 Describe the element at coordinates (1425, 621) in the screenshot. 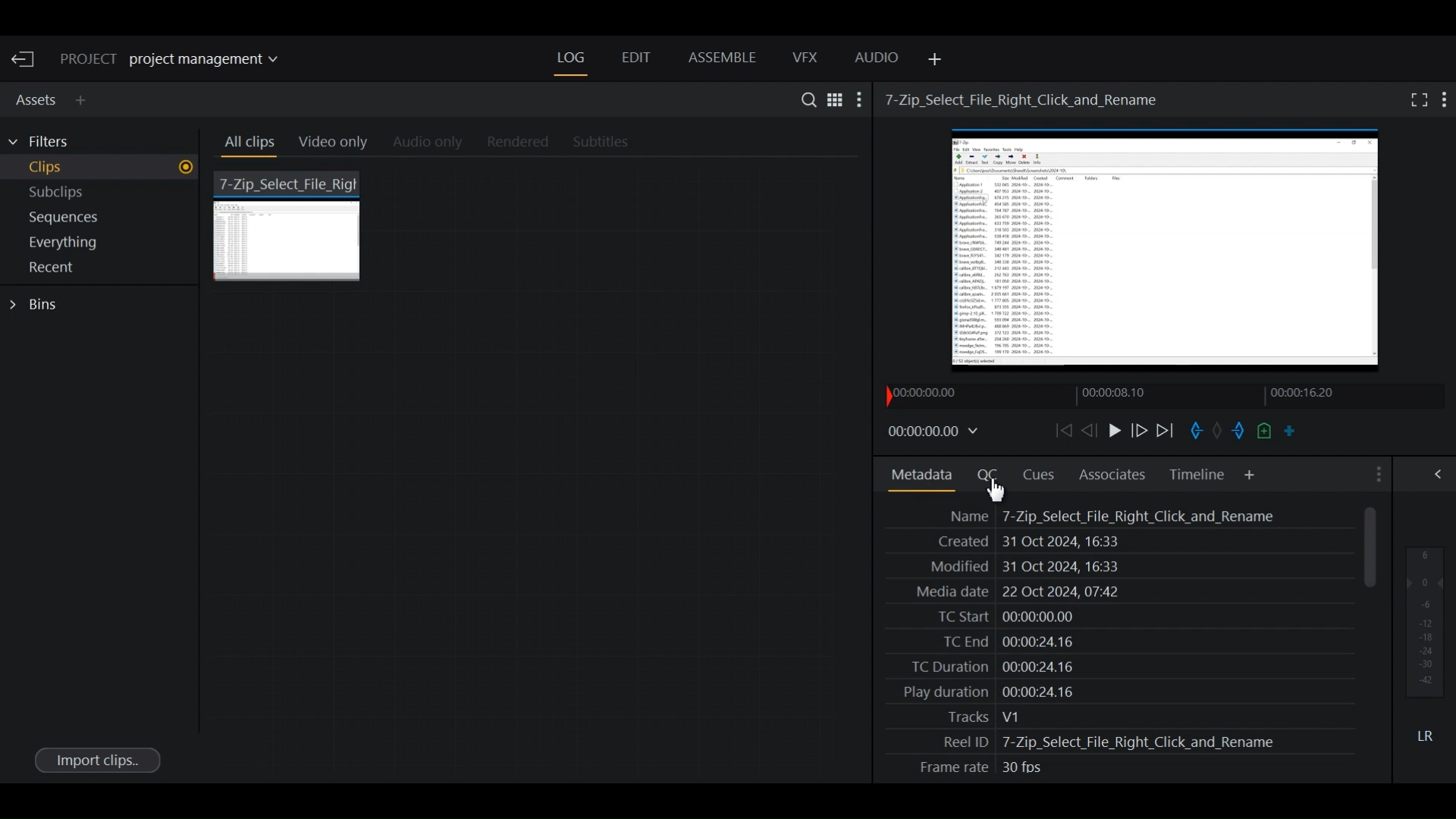

I see `Audio output levels` at that location.